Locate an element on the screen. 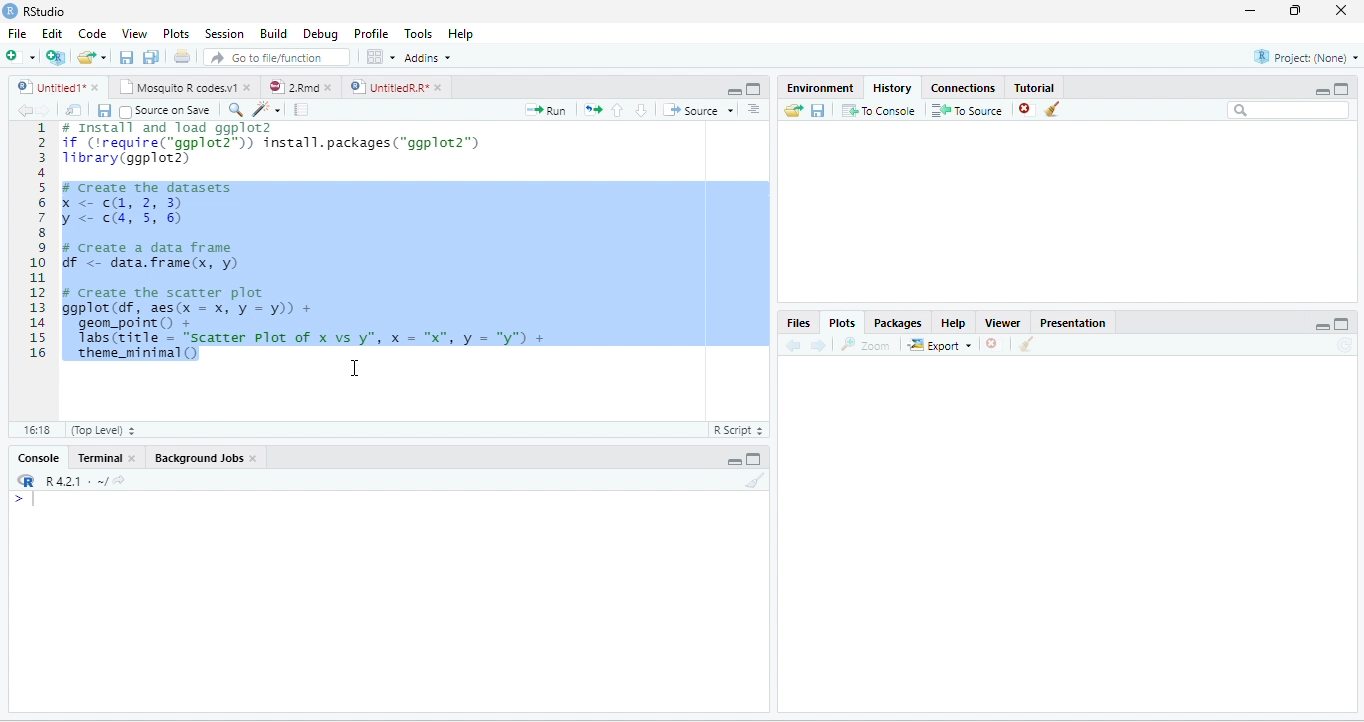 The image size is (1364, 722). zoom is located at coordinates (866, 344).